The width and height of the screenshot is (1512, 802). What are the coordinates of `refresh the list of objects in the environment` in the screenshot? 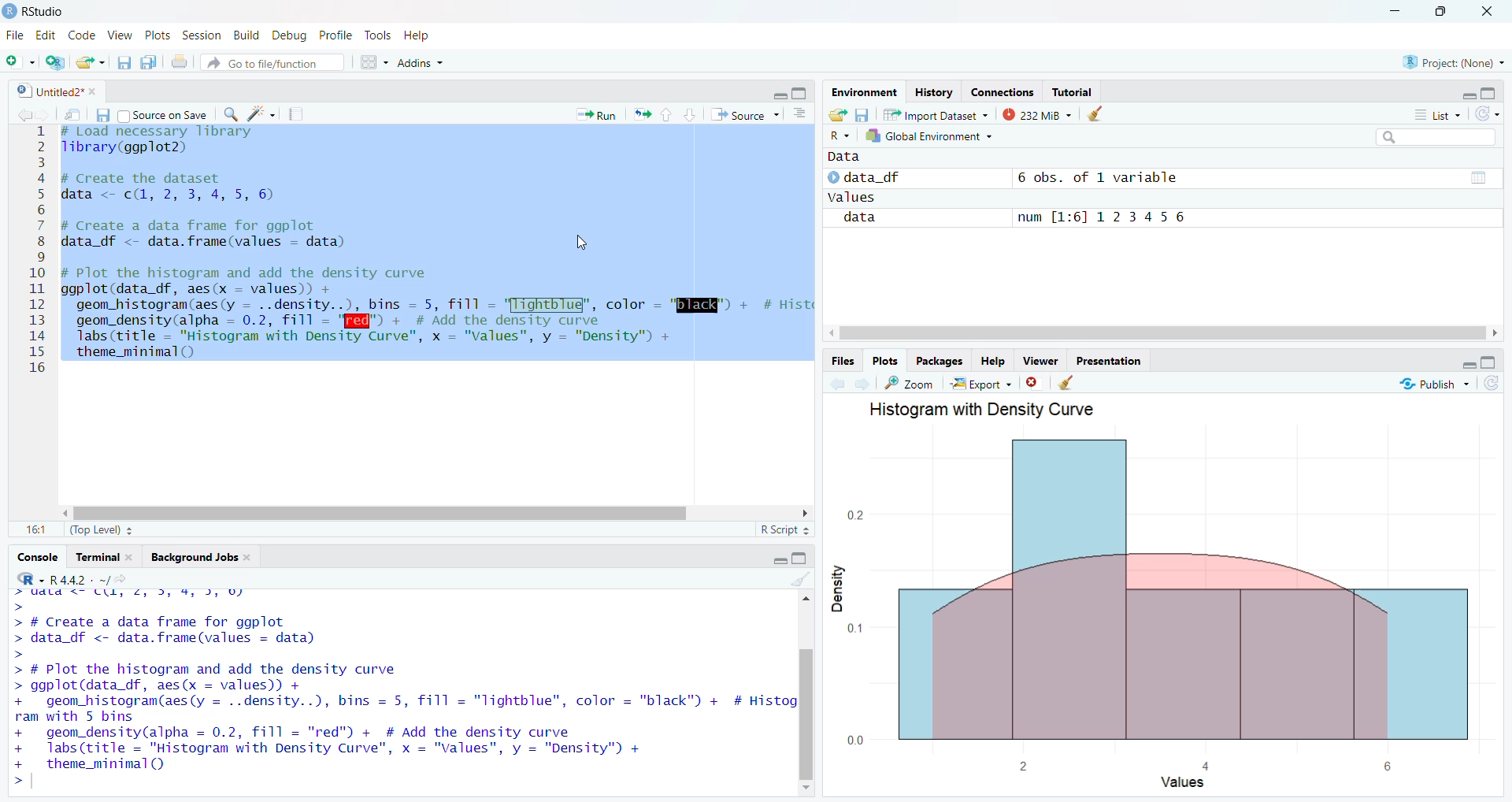 It's located at (1489, 114).